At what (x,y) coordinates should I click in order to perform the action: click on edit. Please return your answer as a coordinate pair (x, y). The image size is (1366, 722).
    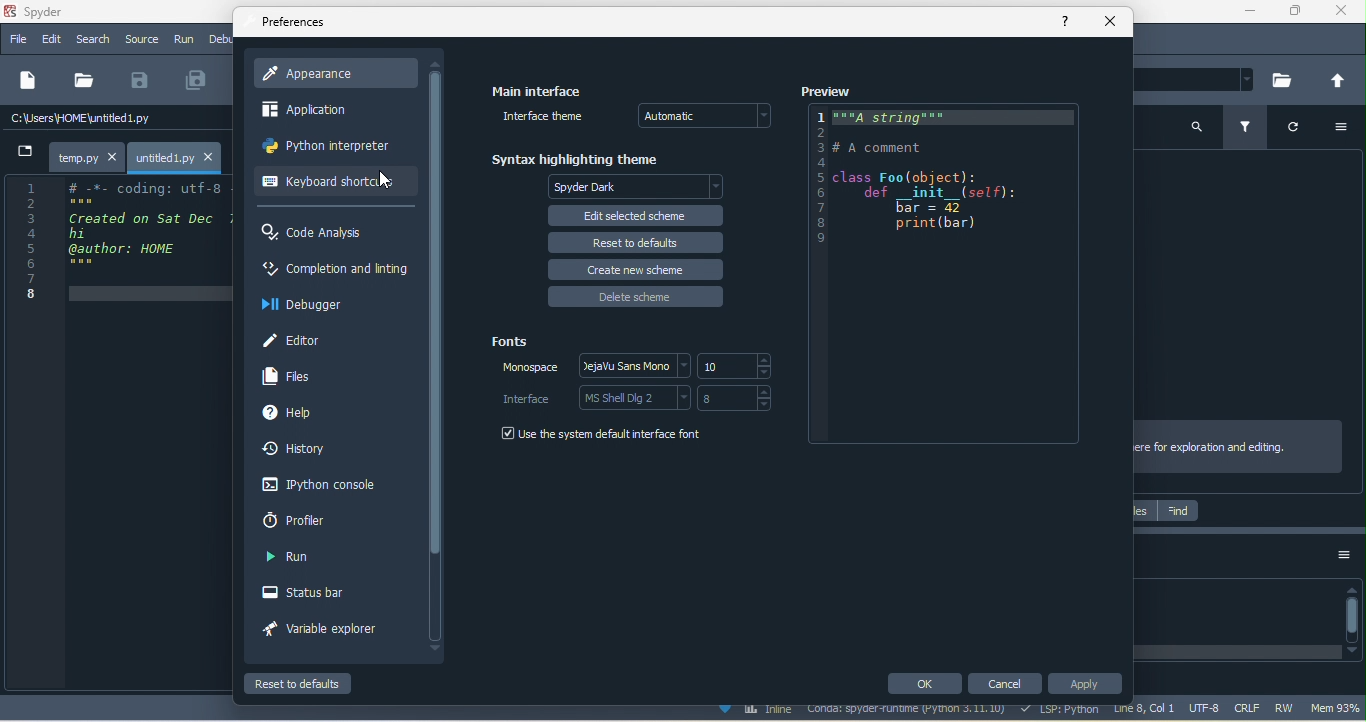
    Looking at the image, I should click on (50, 40).